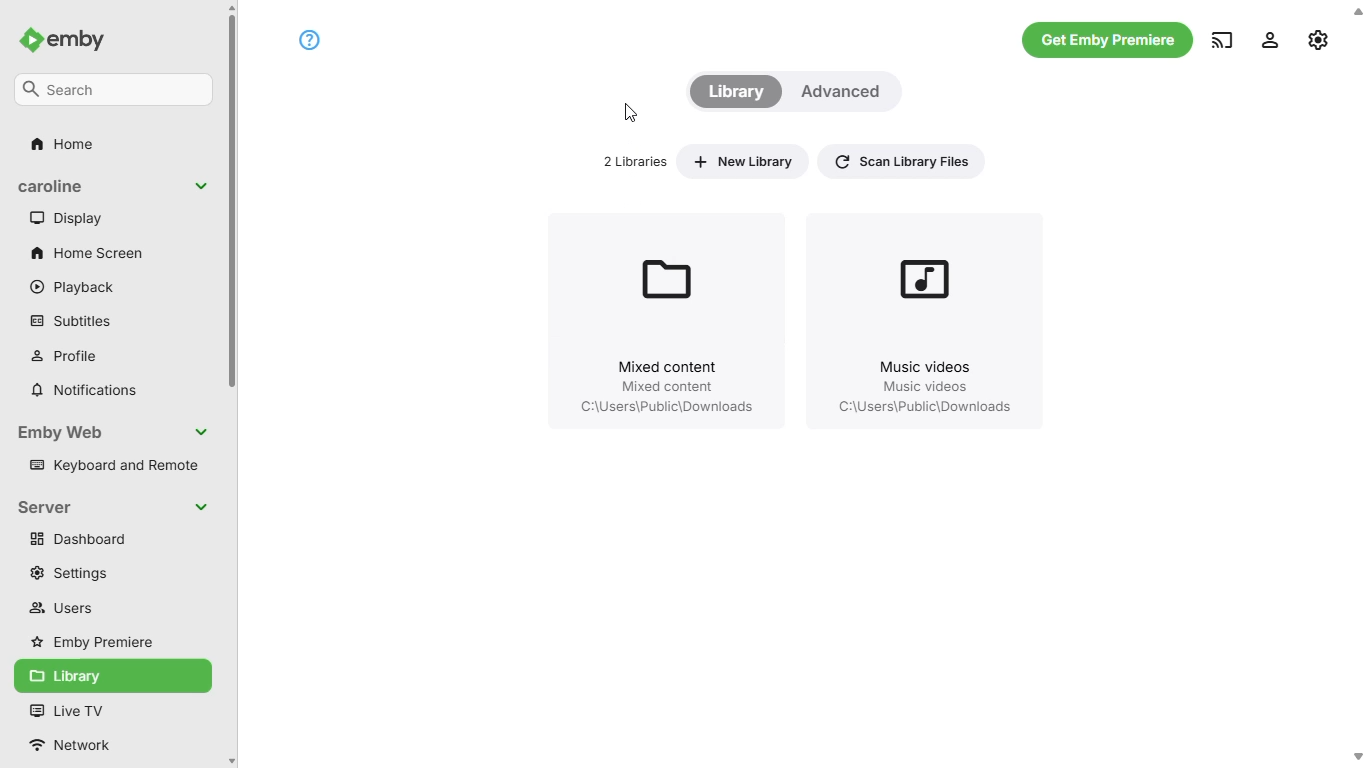 The height and width of the screenshot is (768, 1366). What do you see at coordinates (67, 218) in the screenshot?
I see `display` at bounding box center [67, 218].